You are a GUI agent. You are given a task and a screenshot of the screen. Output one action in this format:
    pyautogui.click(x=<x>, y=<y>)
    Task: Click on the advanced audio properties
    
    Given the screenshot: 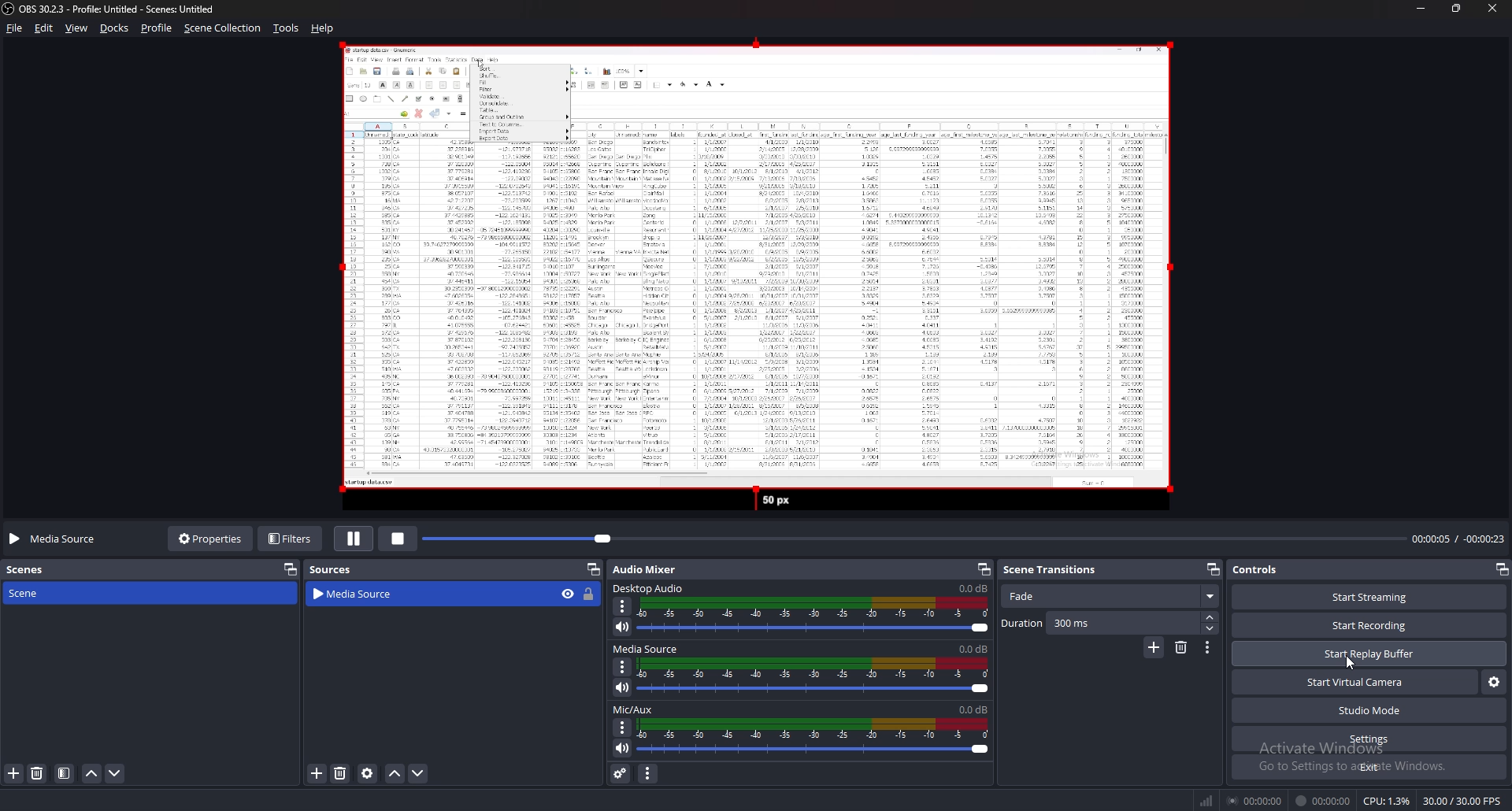 What is the action you would take?
    pyautogui.click(x=621, y=772)
    